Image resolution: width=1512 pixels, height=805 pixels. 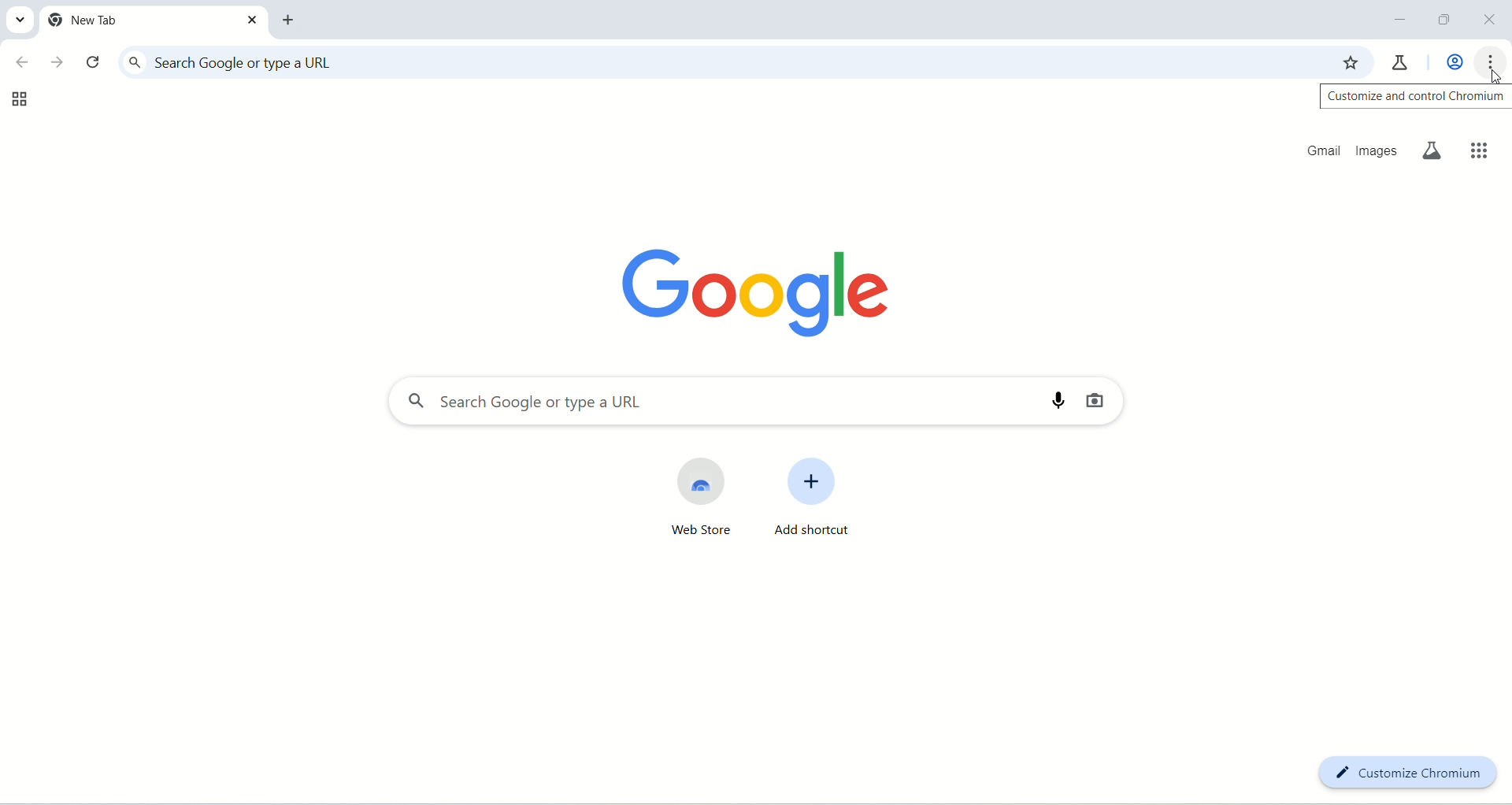 What do you see at coordinates (731, 288) in the screenshot?
I see `google` at bounding box center [731, 288].